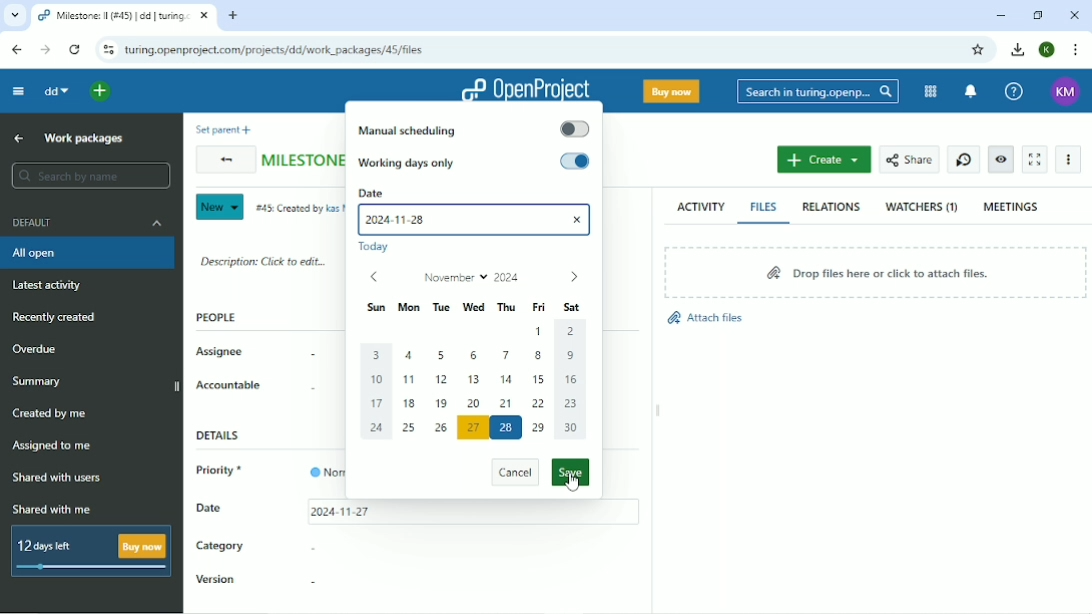 The image size is (1092, 614). Describe the element at coordinates (817, 92) in the screenshot. I see `Search` at that location.